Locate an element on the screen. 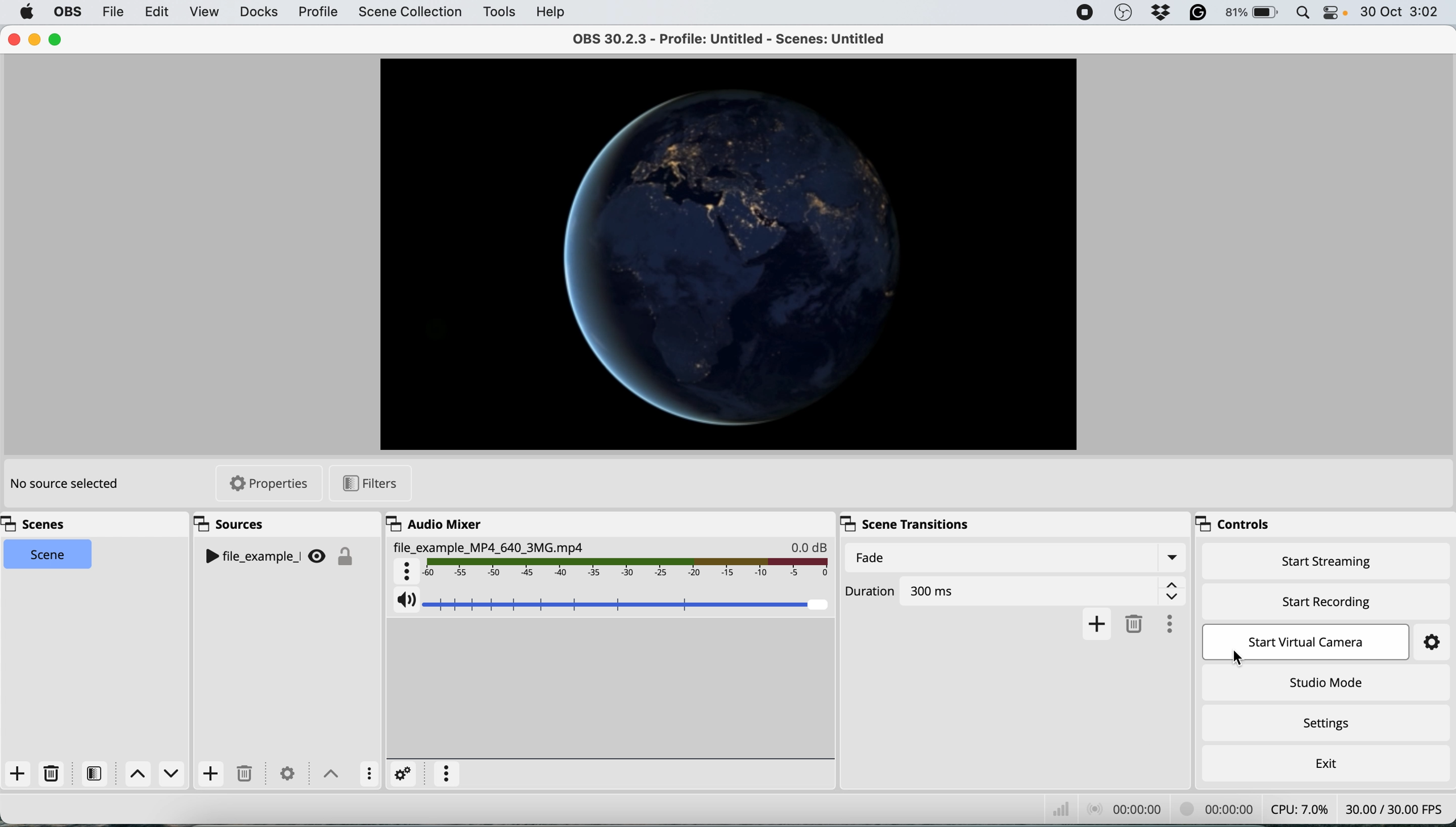 The height and width of the screenshot is (827, 1456). dropbox is located at coordinates (1156, 14).